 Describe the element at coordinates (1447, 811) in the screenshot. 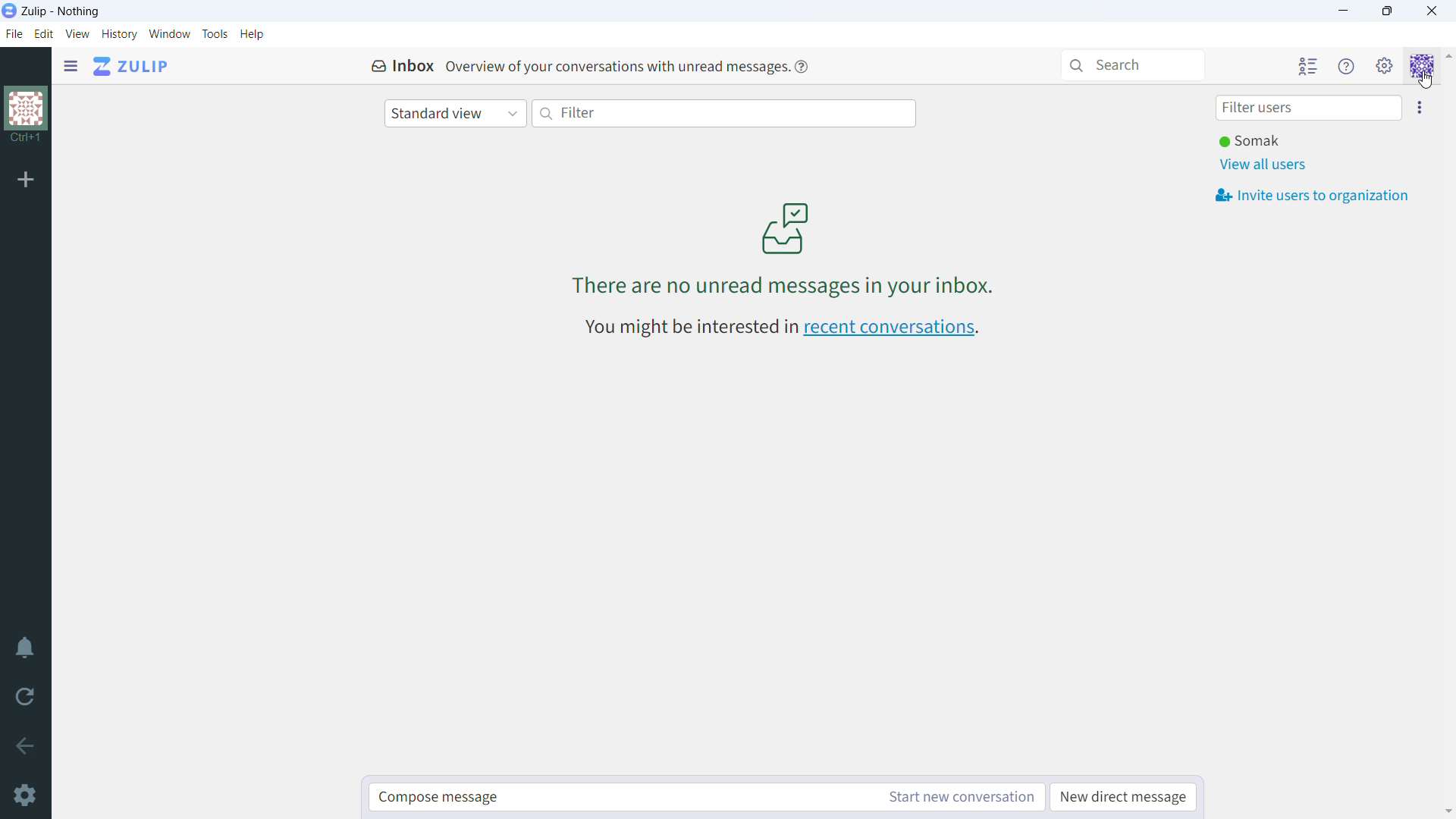

I see `scroll down` at that location.